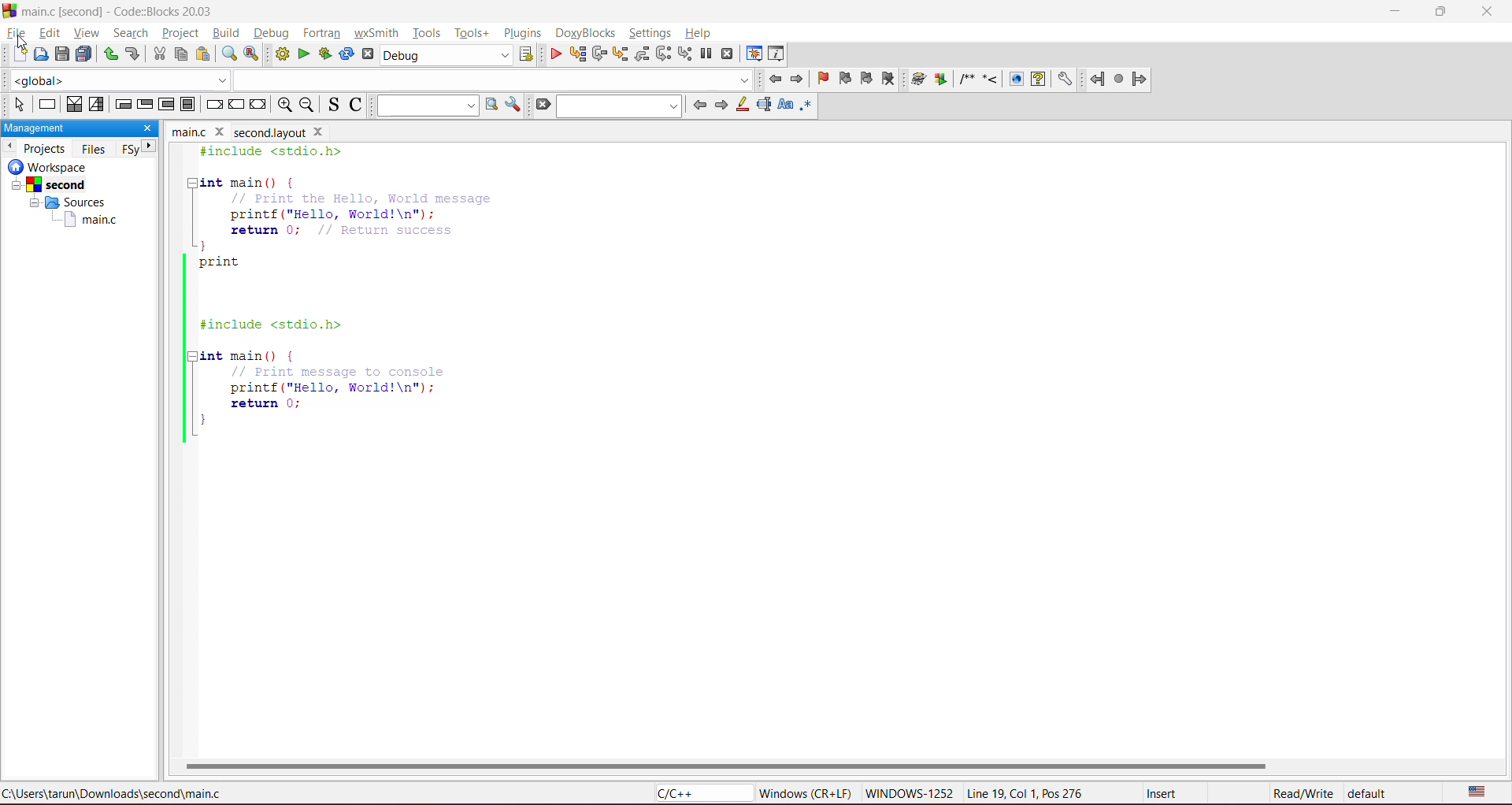 This screenshot has width=1512, height=805. I want to click on clear, so click(544, 106).